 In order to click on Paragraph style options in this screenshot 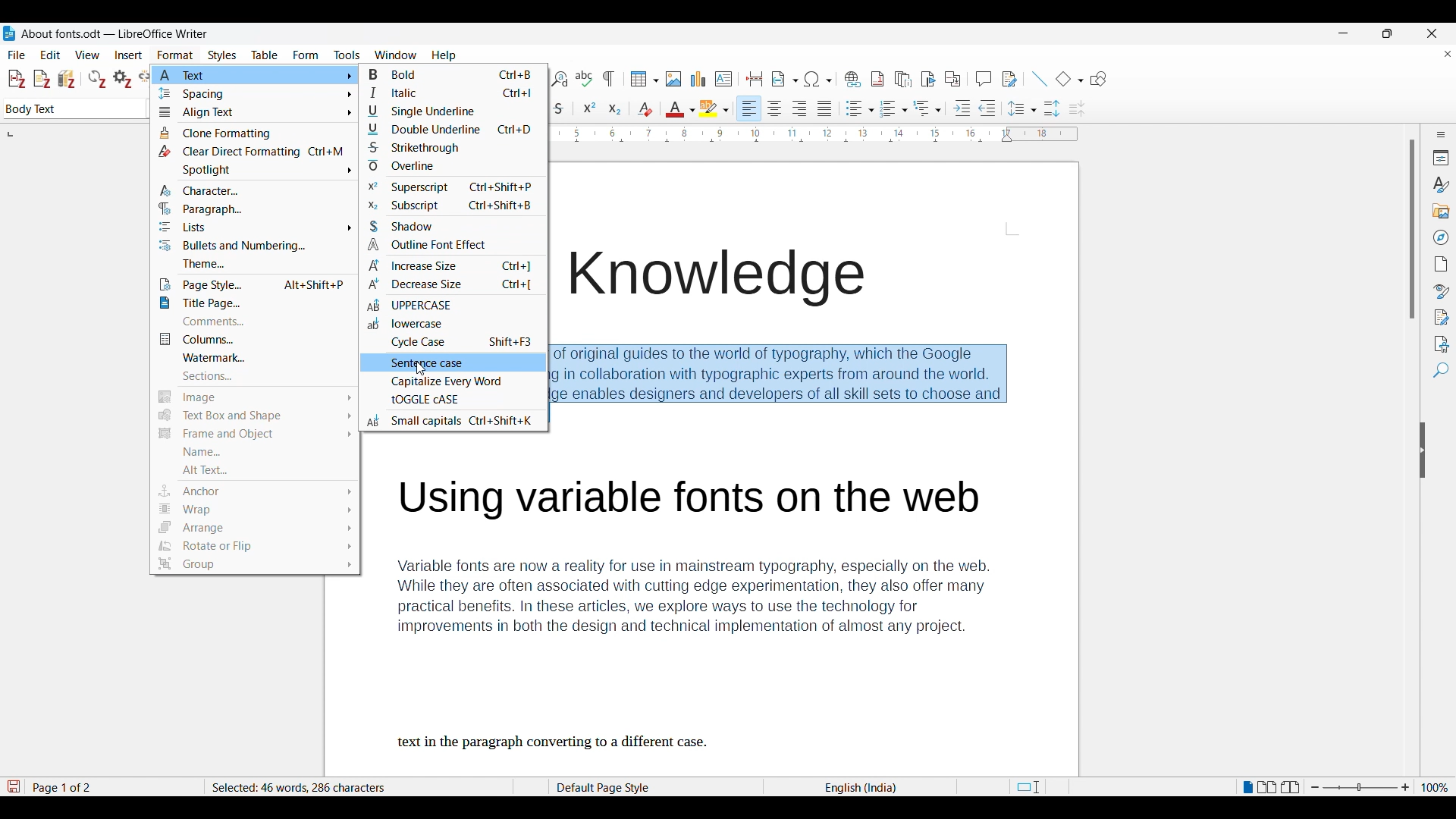, I will do `click(75, 108)`.